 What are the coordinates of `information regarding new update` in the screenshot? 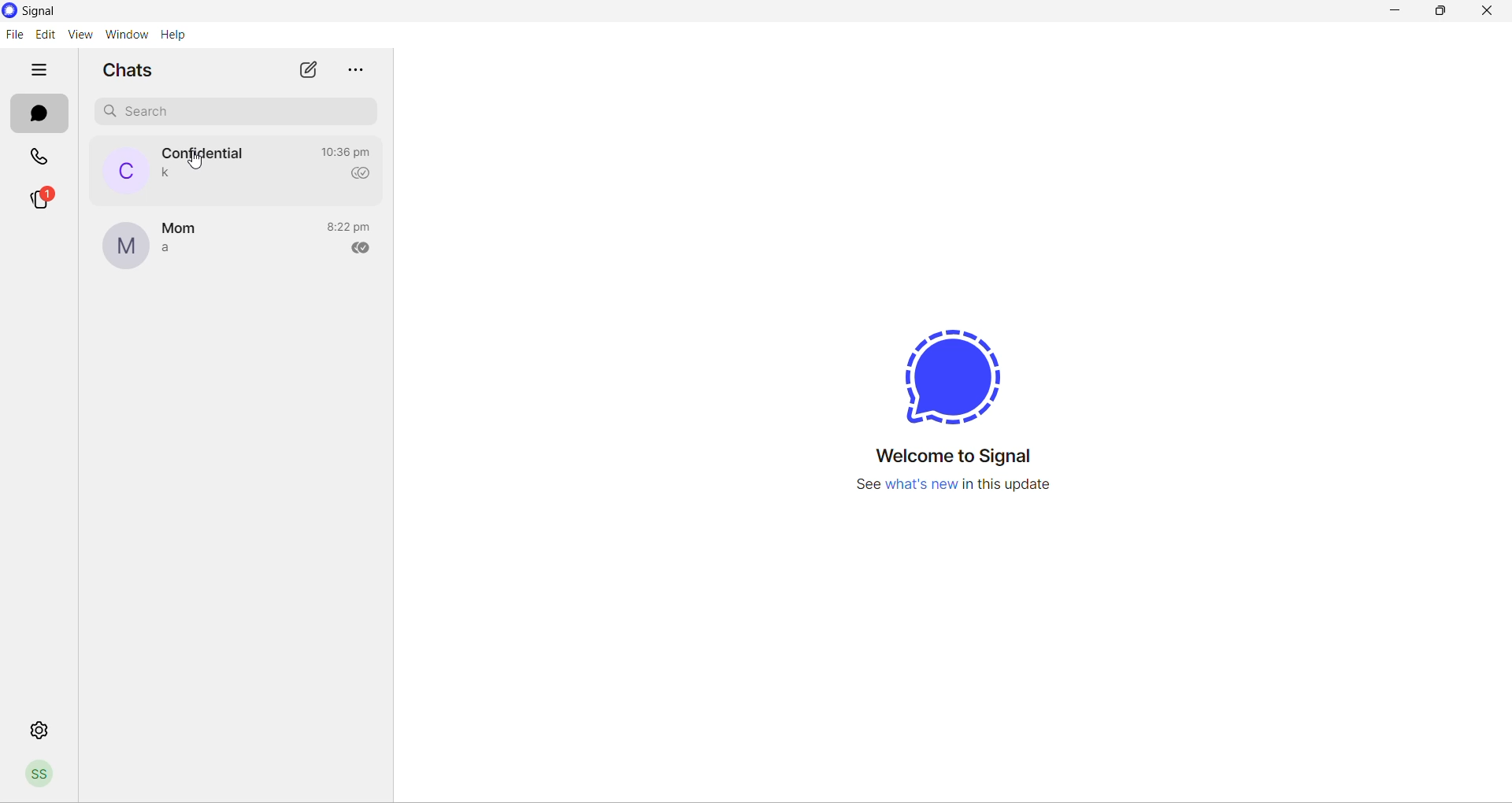 It's located at (967, 486).